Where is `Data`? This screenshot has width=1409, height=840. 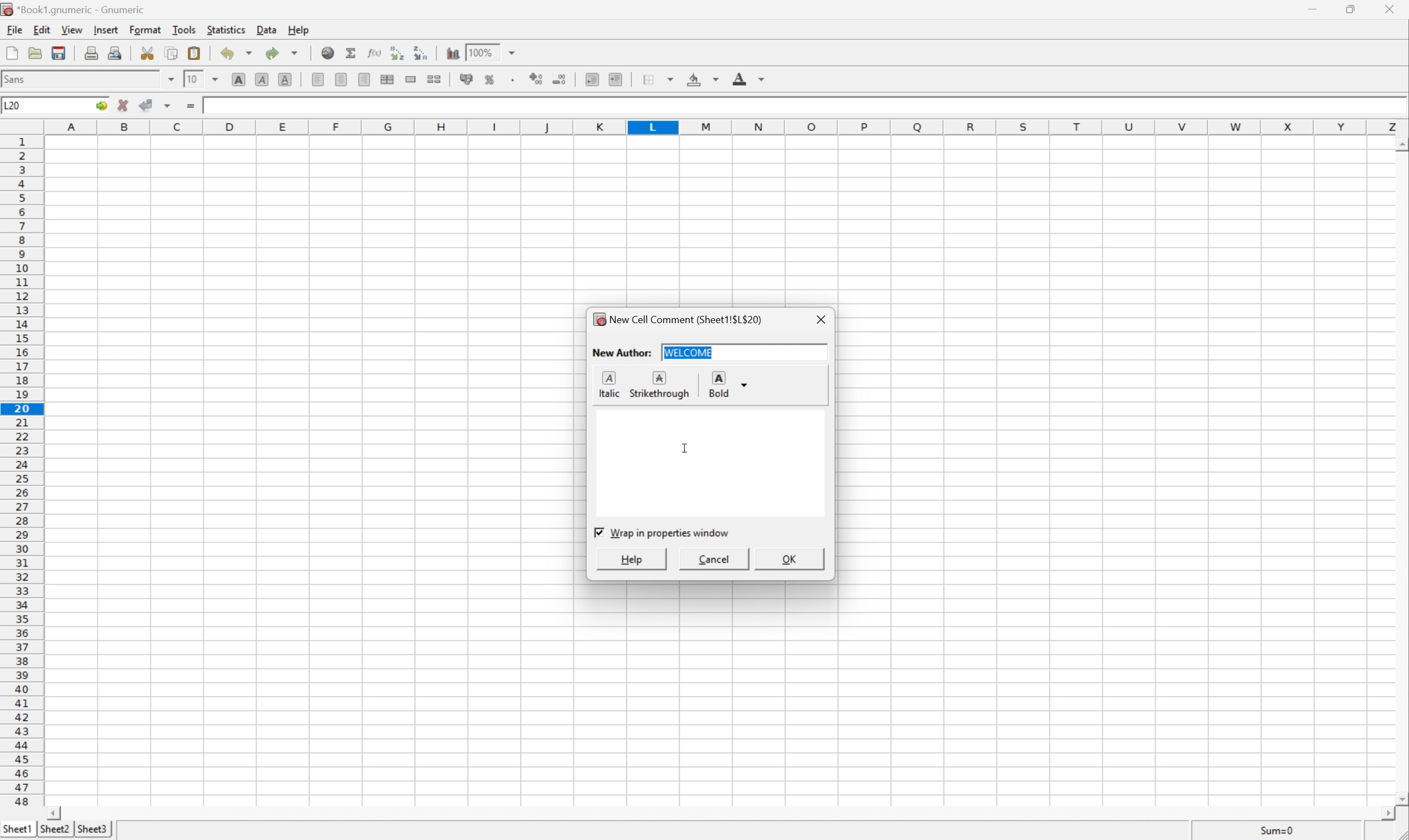
Data is located at coordinates (265, 29).